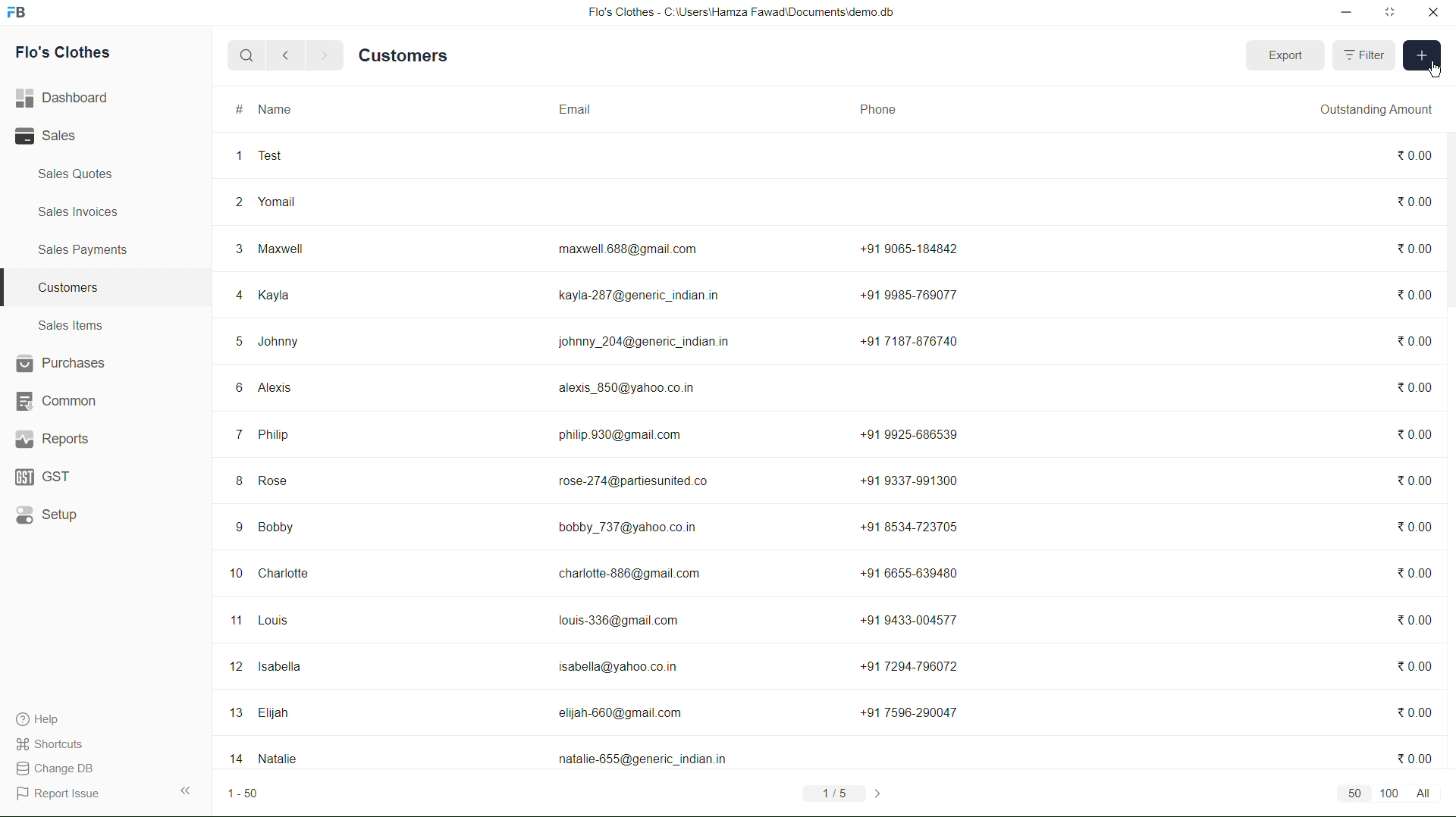 Image resolution: width=1456 pixels, height=817 pixels. Describe the element at coordinates (62, 363) in the screenshot. I see `Purchases` at that location.